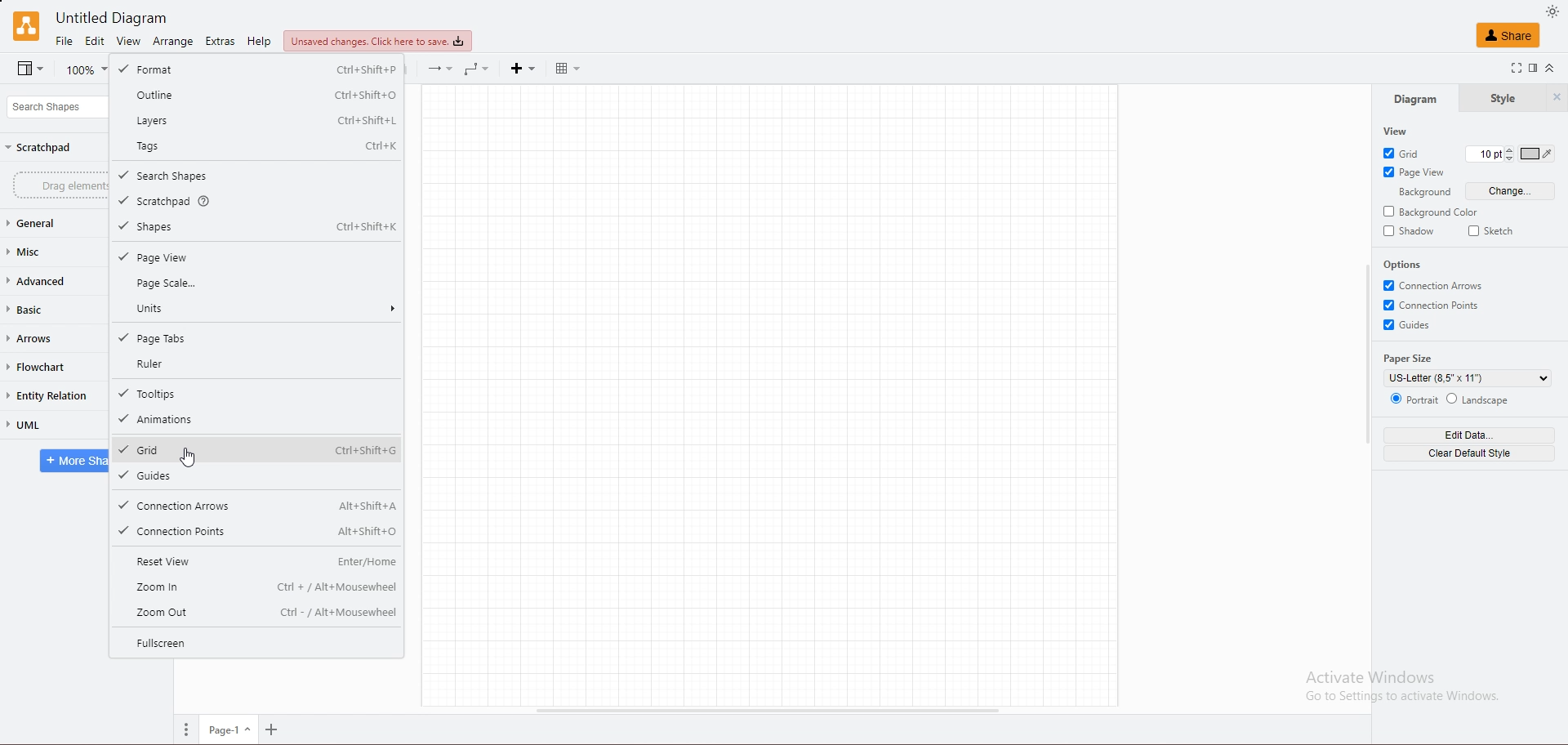  What do you see at coordinates (84, 69) in the screenshot?
I see `zoom percentage` at bounding box center [84, 69].